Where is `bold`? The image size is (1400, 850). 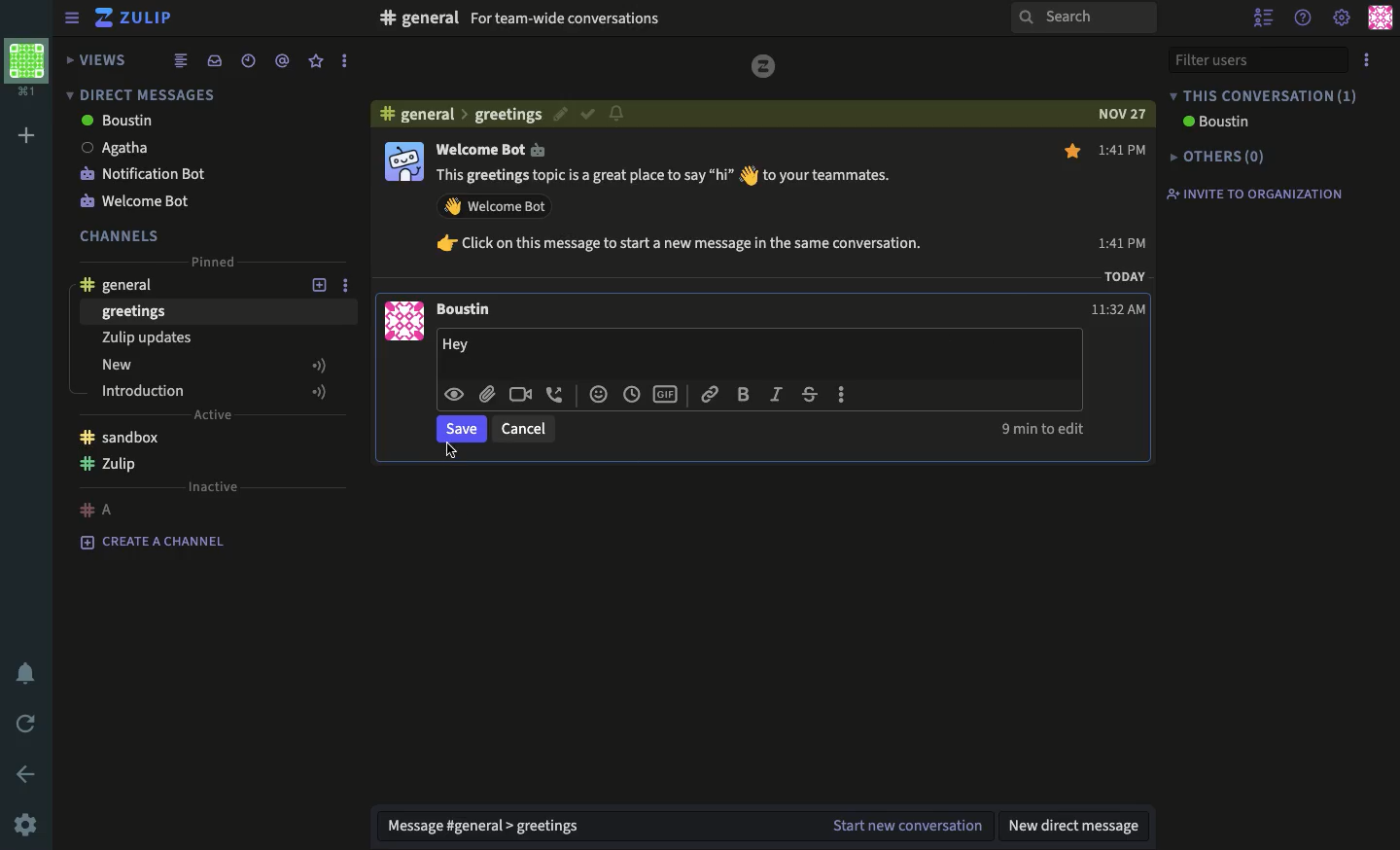
bold is located at coordinates (744, 397).